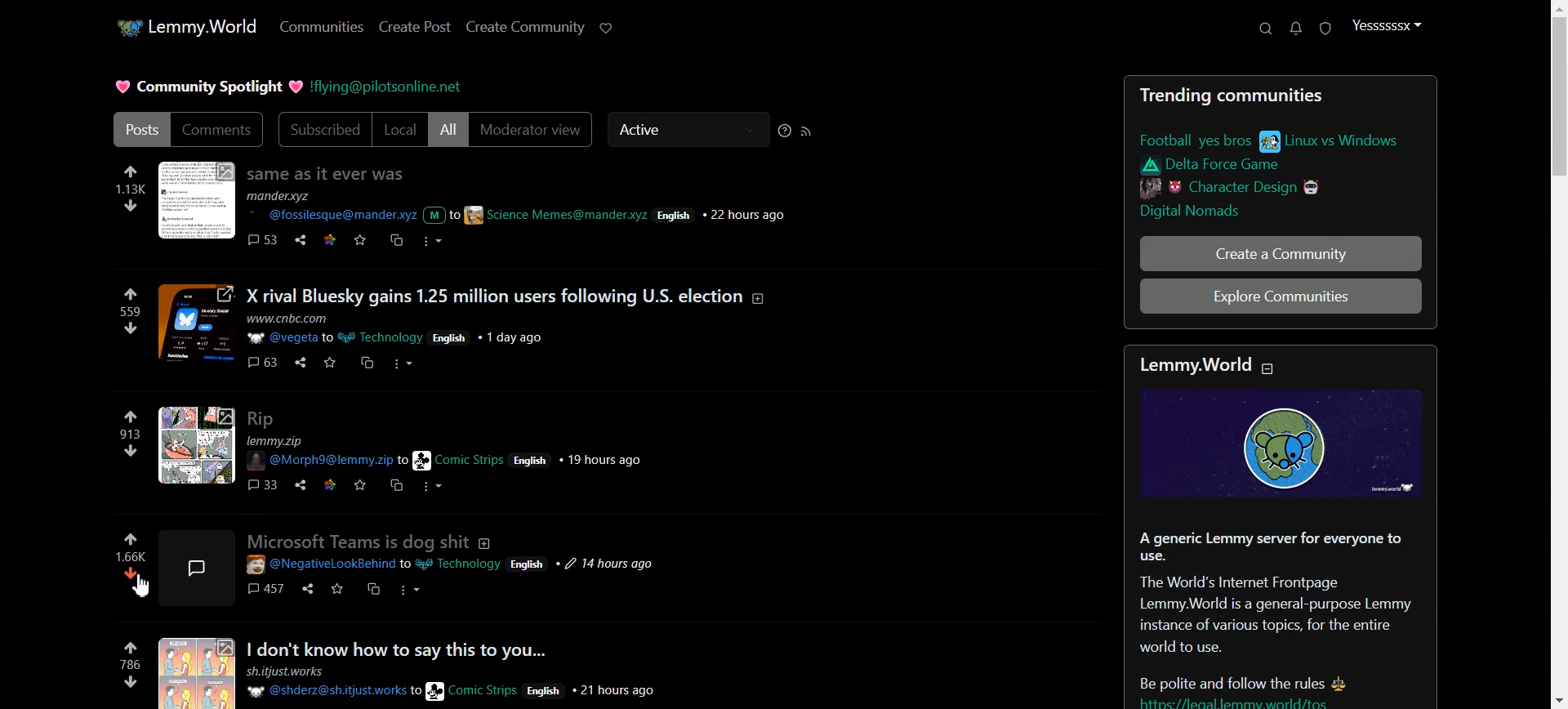 This screenshot has width=1568, height=709. I want to click on more, so click(431, 242).